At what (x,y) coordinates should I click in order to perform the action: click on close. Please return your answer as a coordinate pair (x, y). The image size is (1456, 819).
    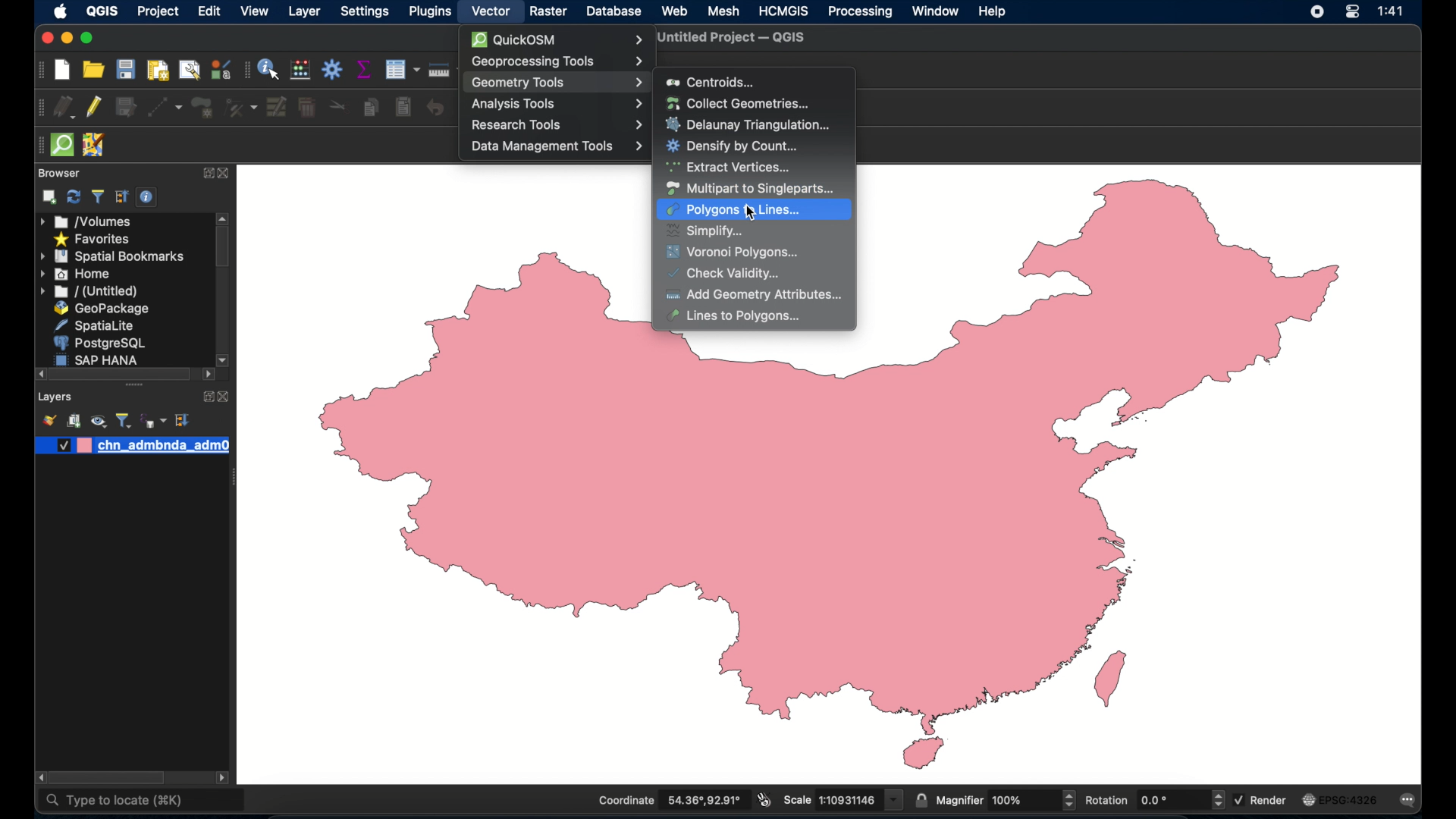
    Looking at the image, I should click on (46, 39).